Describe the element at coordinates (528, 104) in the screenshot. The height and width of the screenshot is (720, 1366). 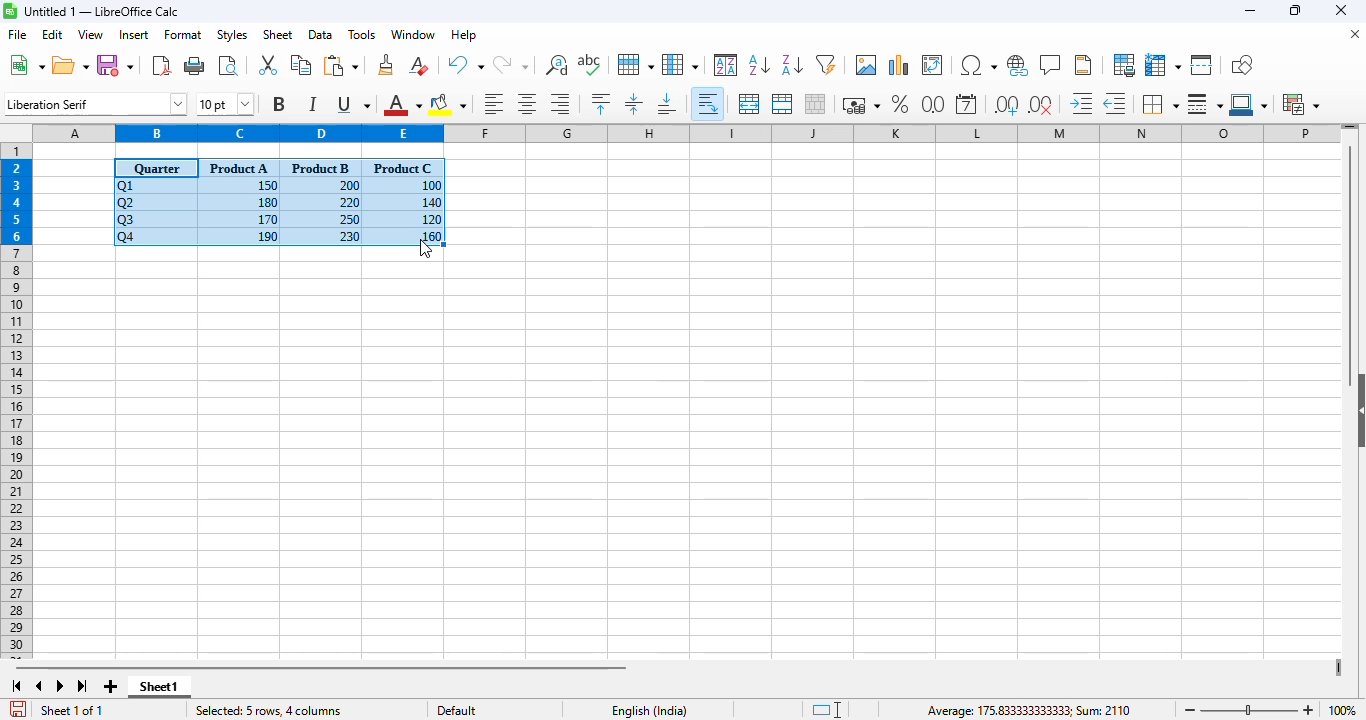
I see `align center` at that location.